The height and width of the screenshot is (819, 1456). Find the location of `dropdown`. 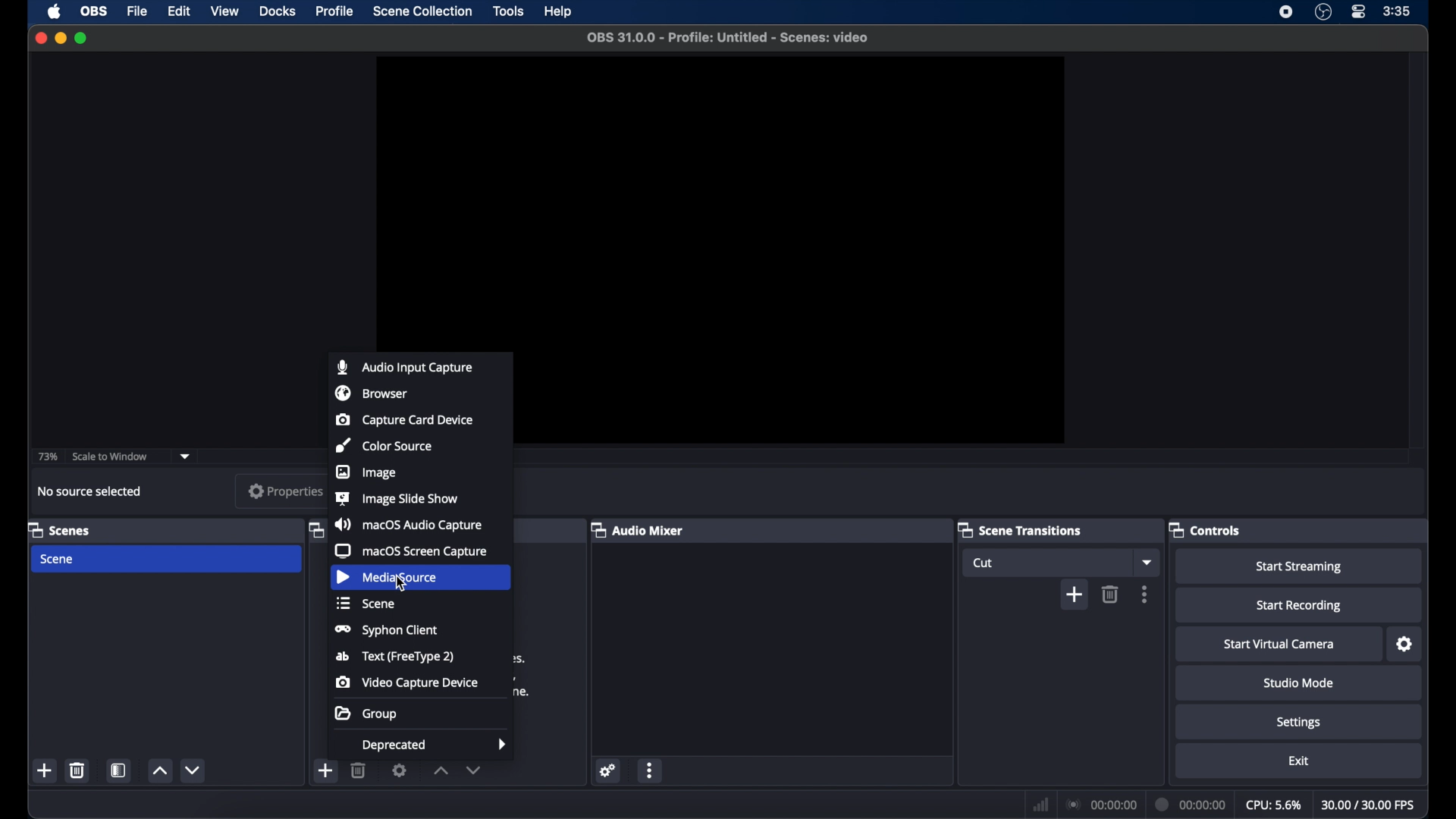

dropdown is located at coordinates (185, 457).